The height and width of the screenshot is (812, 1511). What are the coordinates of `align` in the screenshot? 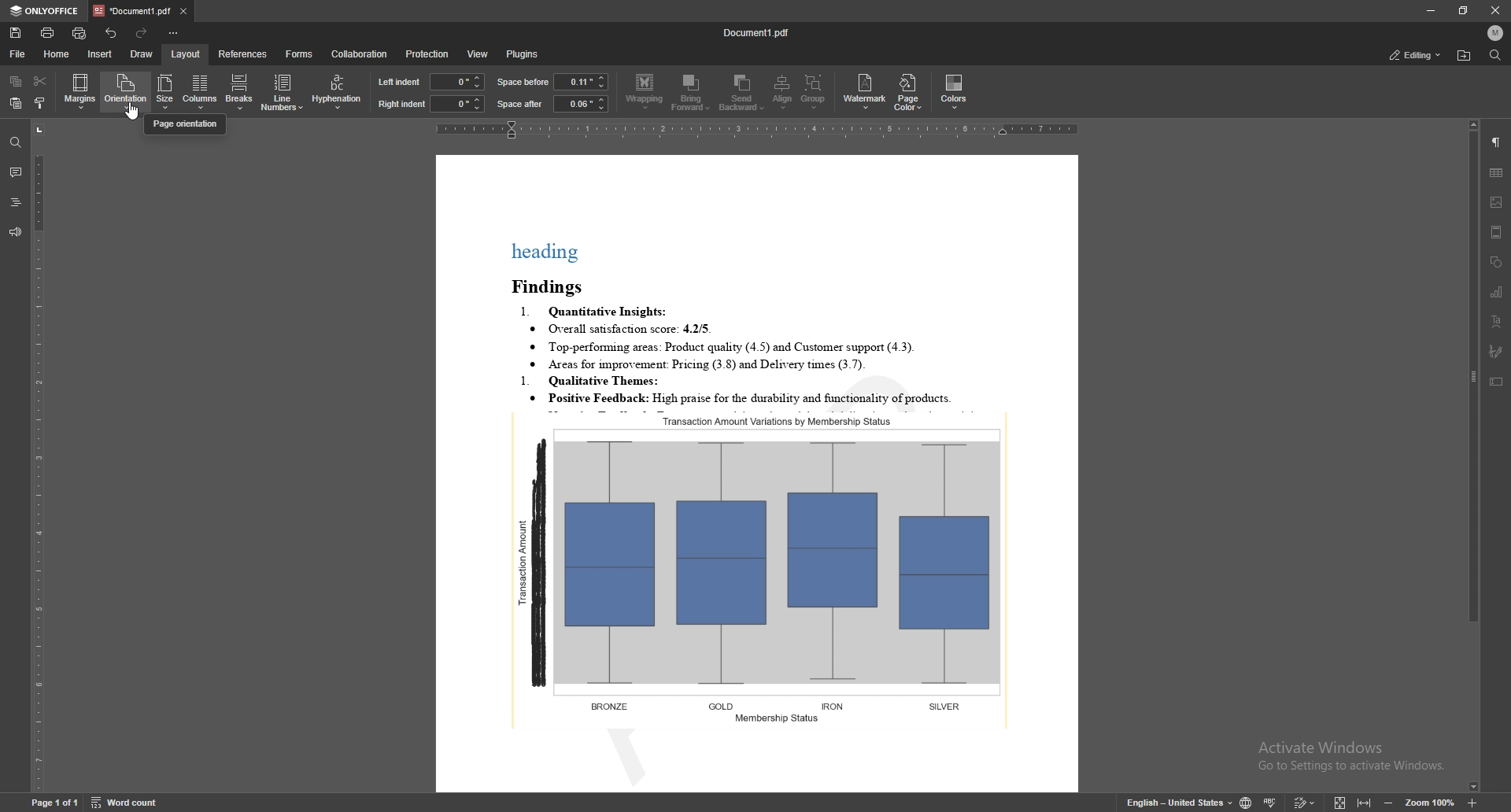 It's located at (782, 91).